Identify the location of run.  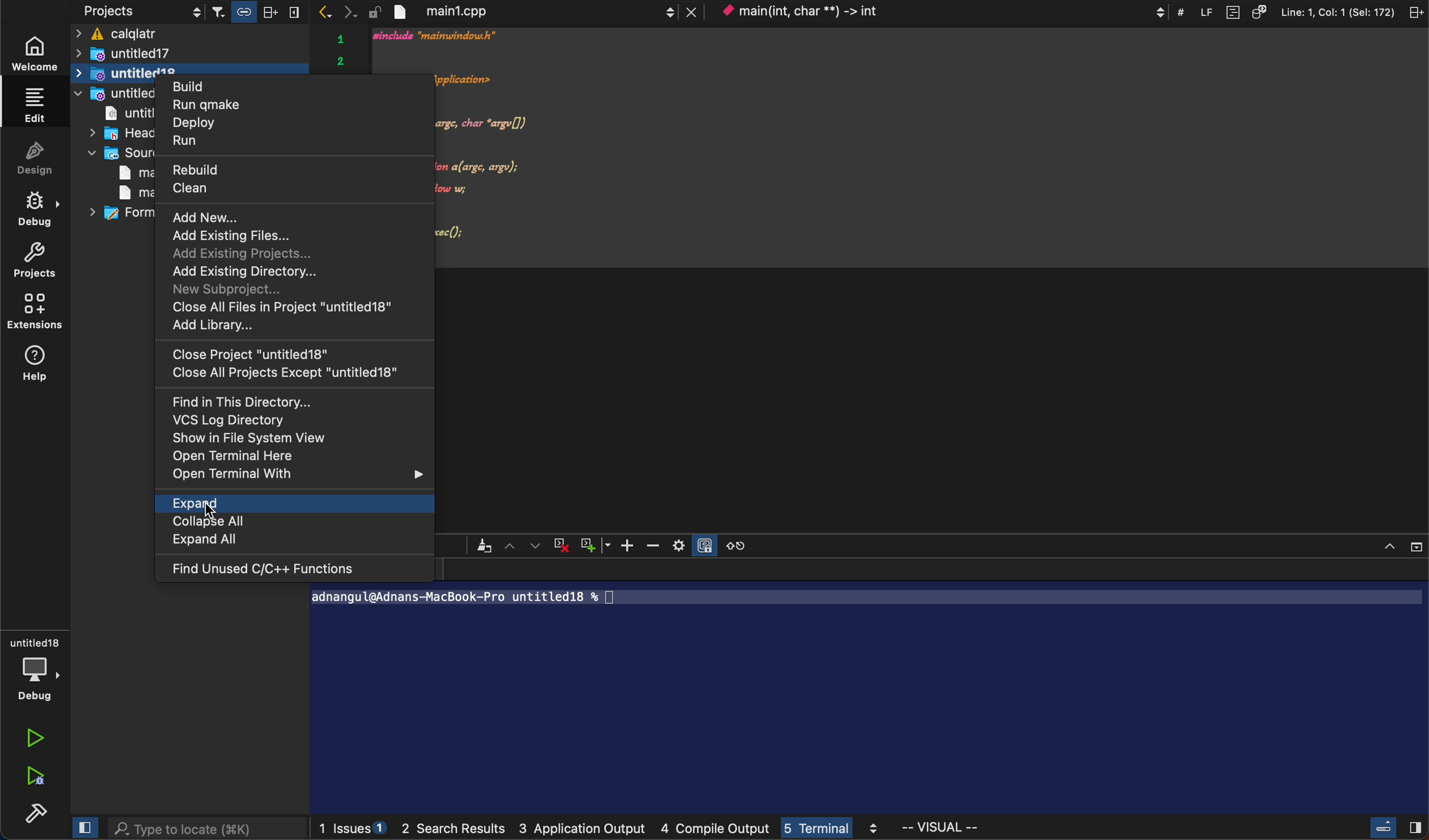
(204, 142).